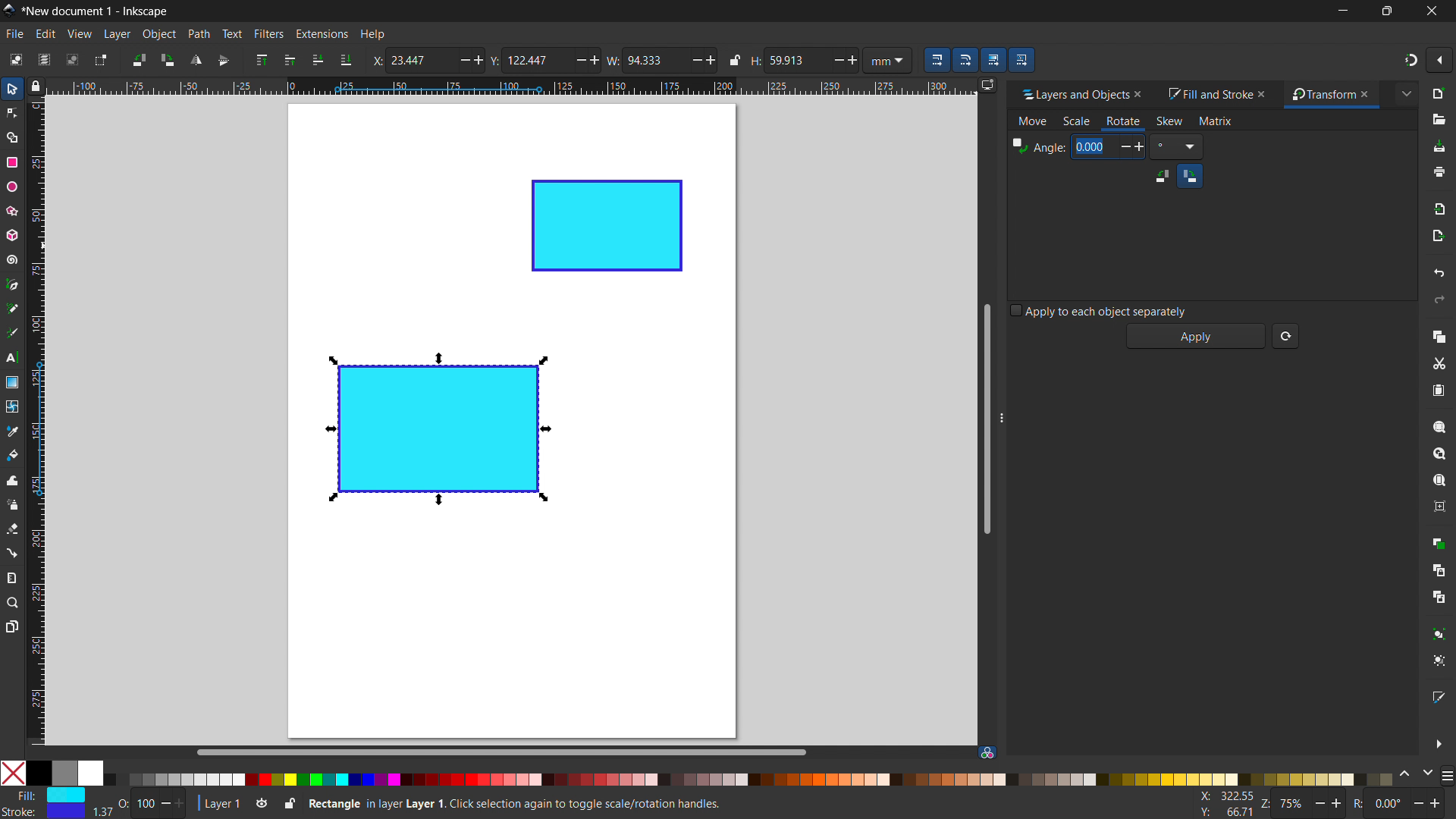  Describe the element at coordinates (14, 772) in the screenshot. I see `No color` at that location.